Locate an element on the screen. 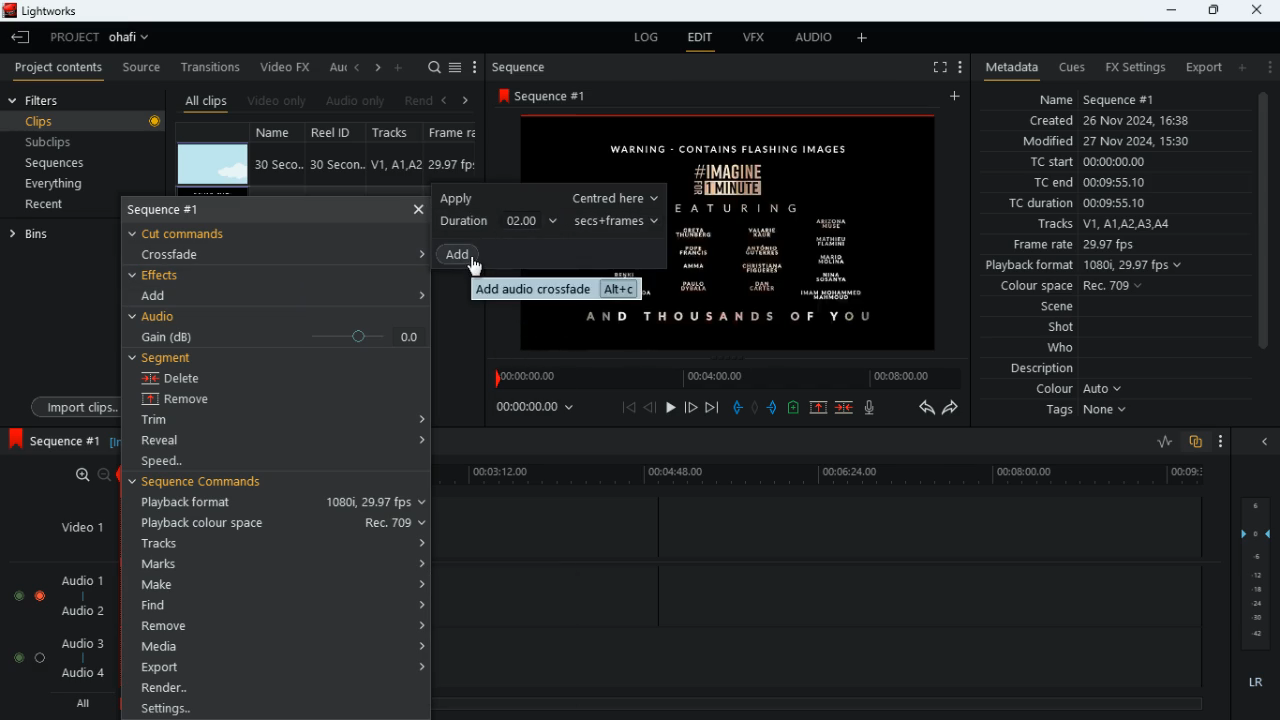  more is located at coordinates (865, 37).